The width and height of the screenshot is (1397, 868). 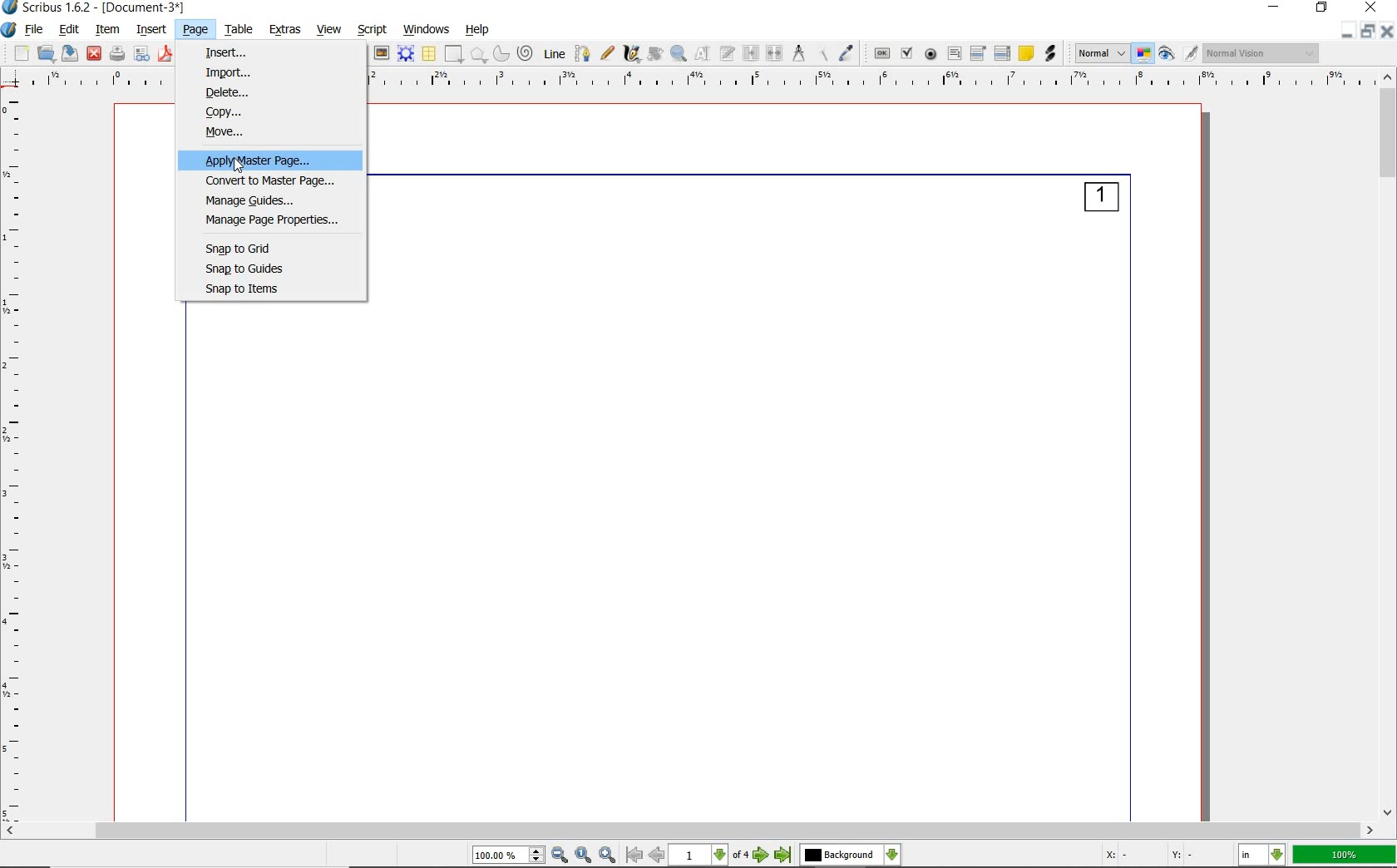 I want to click on pdf text field, so click(x=953, y=52).